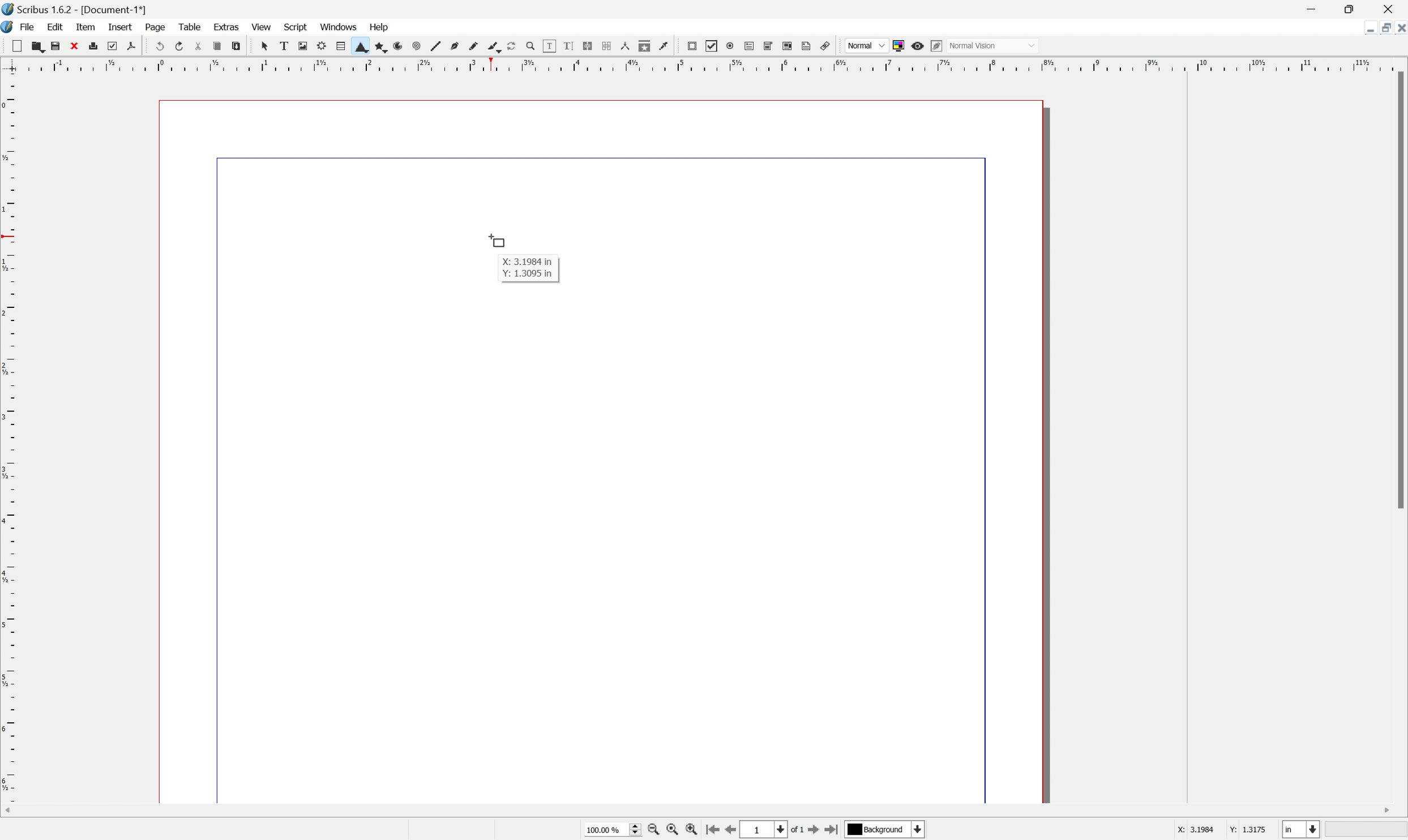 The height and width of the screenshot is (840, 1408). What do you see at coordinates (75, 45) in the screenshot?
I see `Close` at bounding box center [75, 45].